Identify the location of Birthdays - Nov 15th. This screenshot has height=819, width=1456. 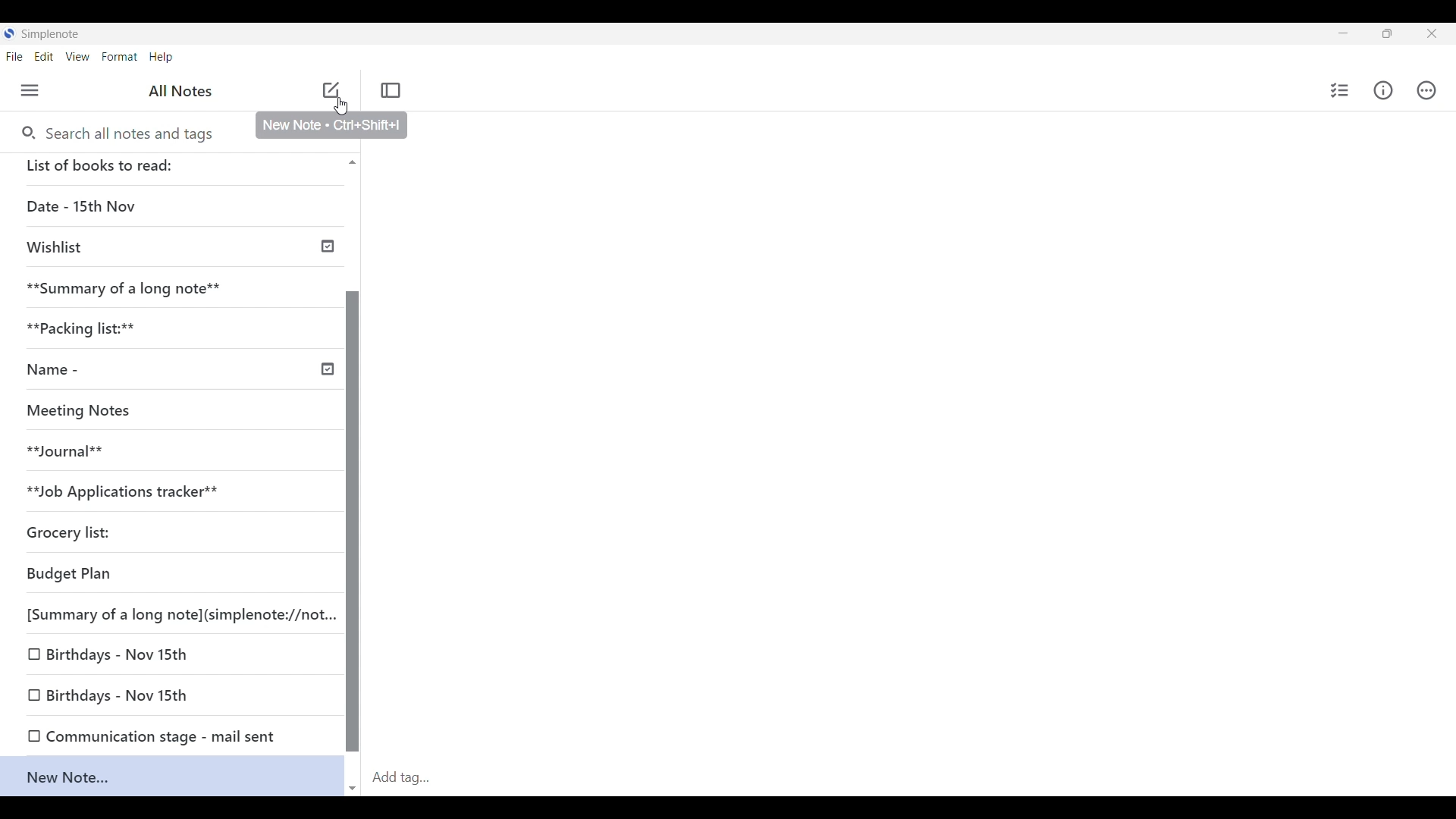
(113, 695).